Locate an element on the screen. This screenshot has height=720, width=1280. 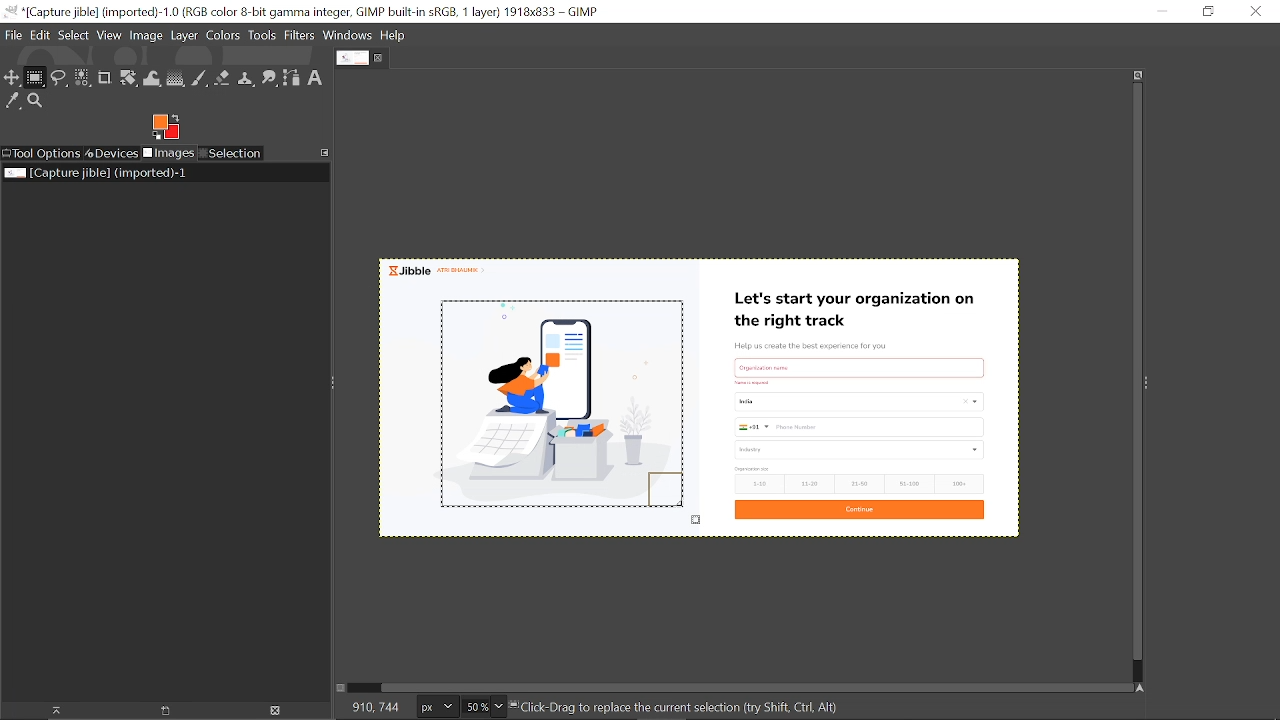
 is located at coordinates (752, 382).